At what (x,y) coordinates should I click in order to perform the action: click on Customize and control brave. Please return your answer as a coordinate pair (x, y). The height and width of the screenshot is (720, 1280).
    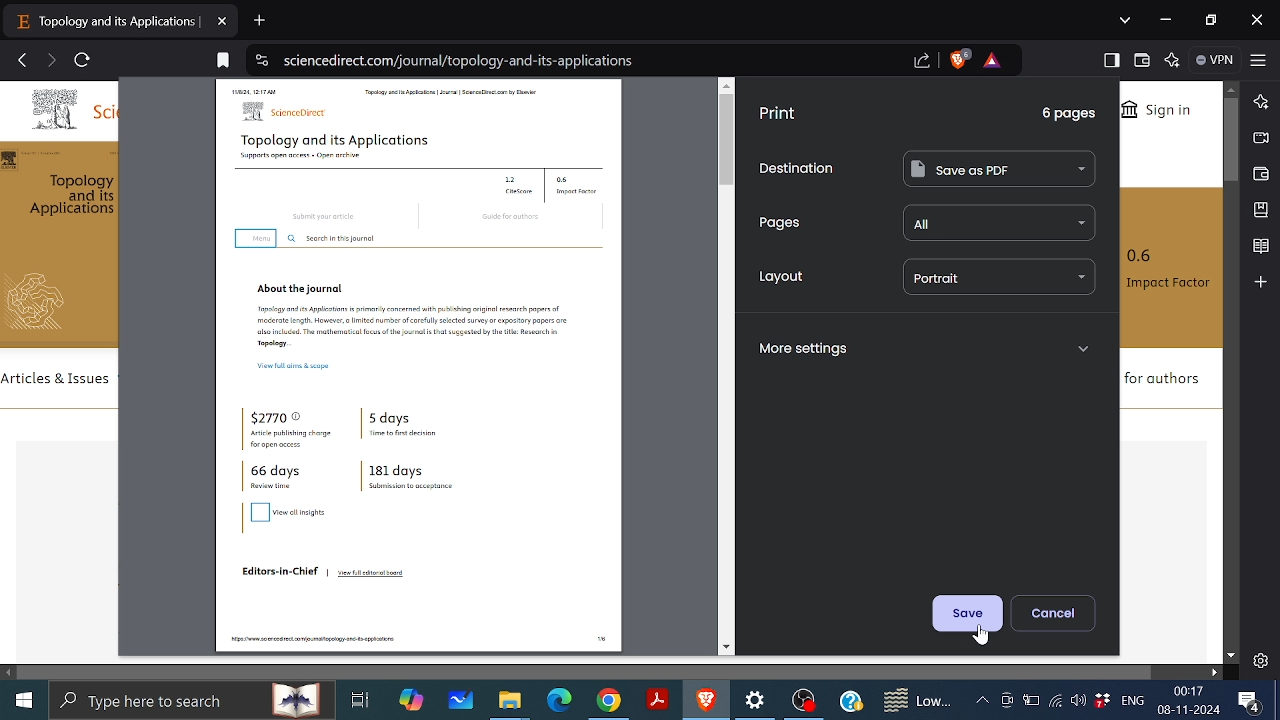
    Looking at the image, I should click on (1259, 60).